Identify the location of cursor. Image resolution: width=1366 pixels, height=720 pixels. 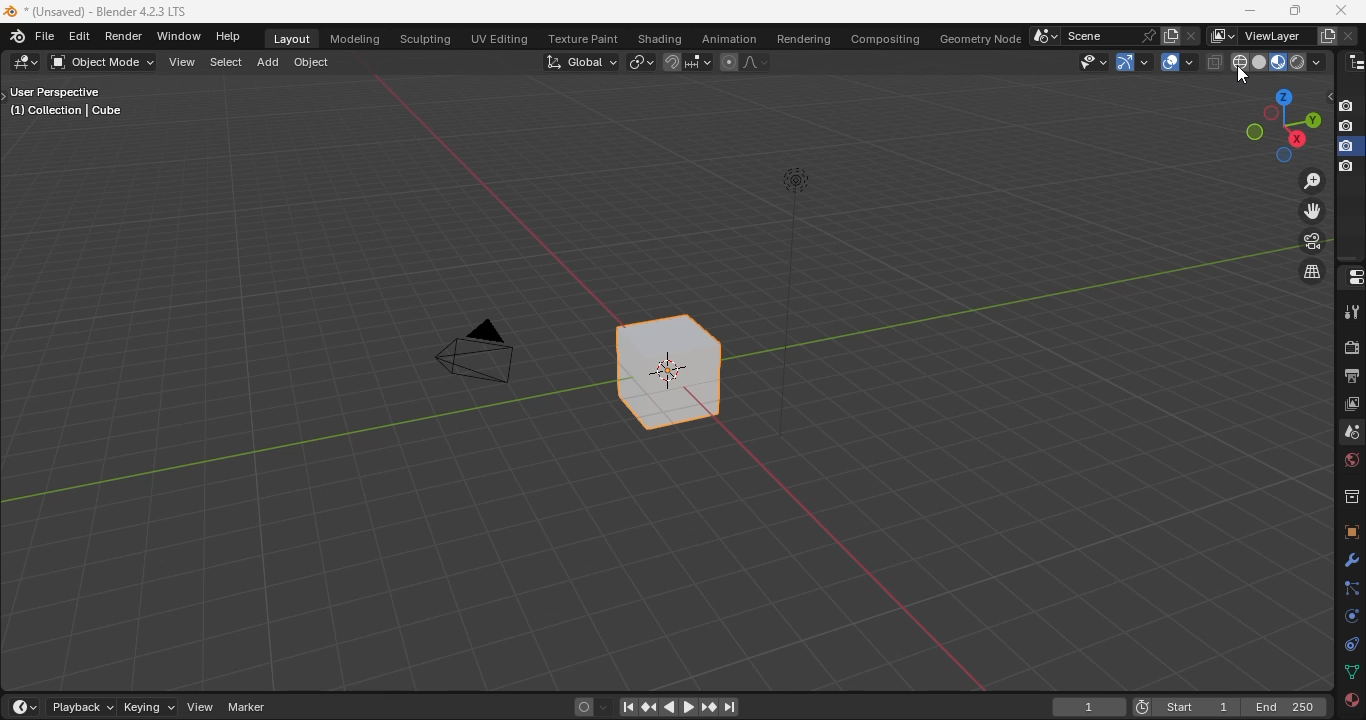
(1240, 76).